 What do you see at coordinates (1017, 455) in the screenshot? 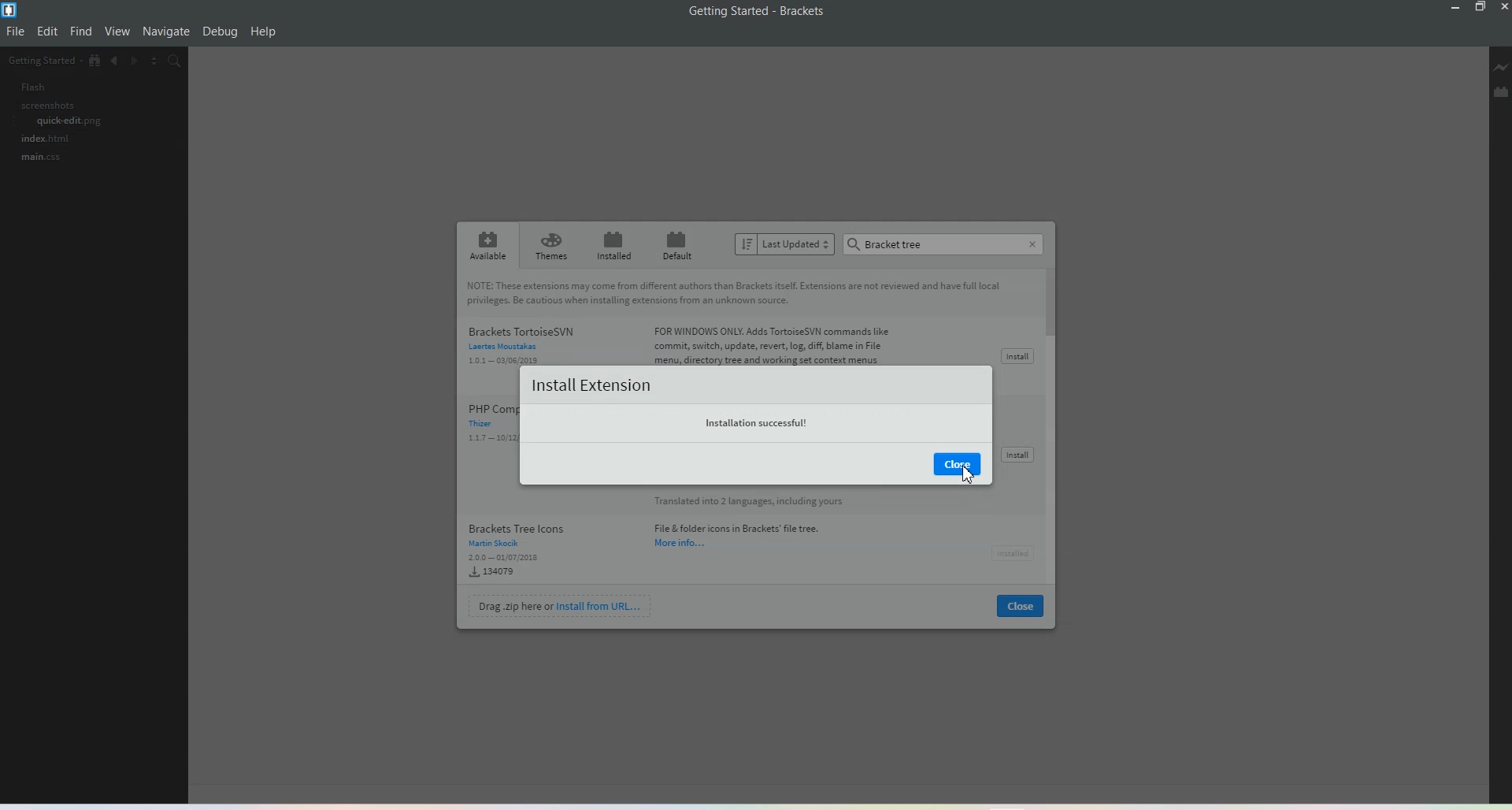
I see `Install` at bounding box center [1017, 455].